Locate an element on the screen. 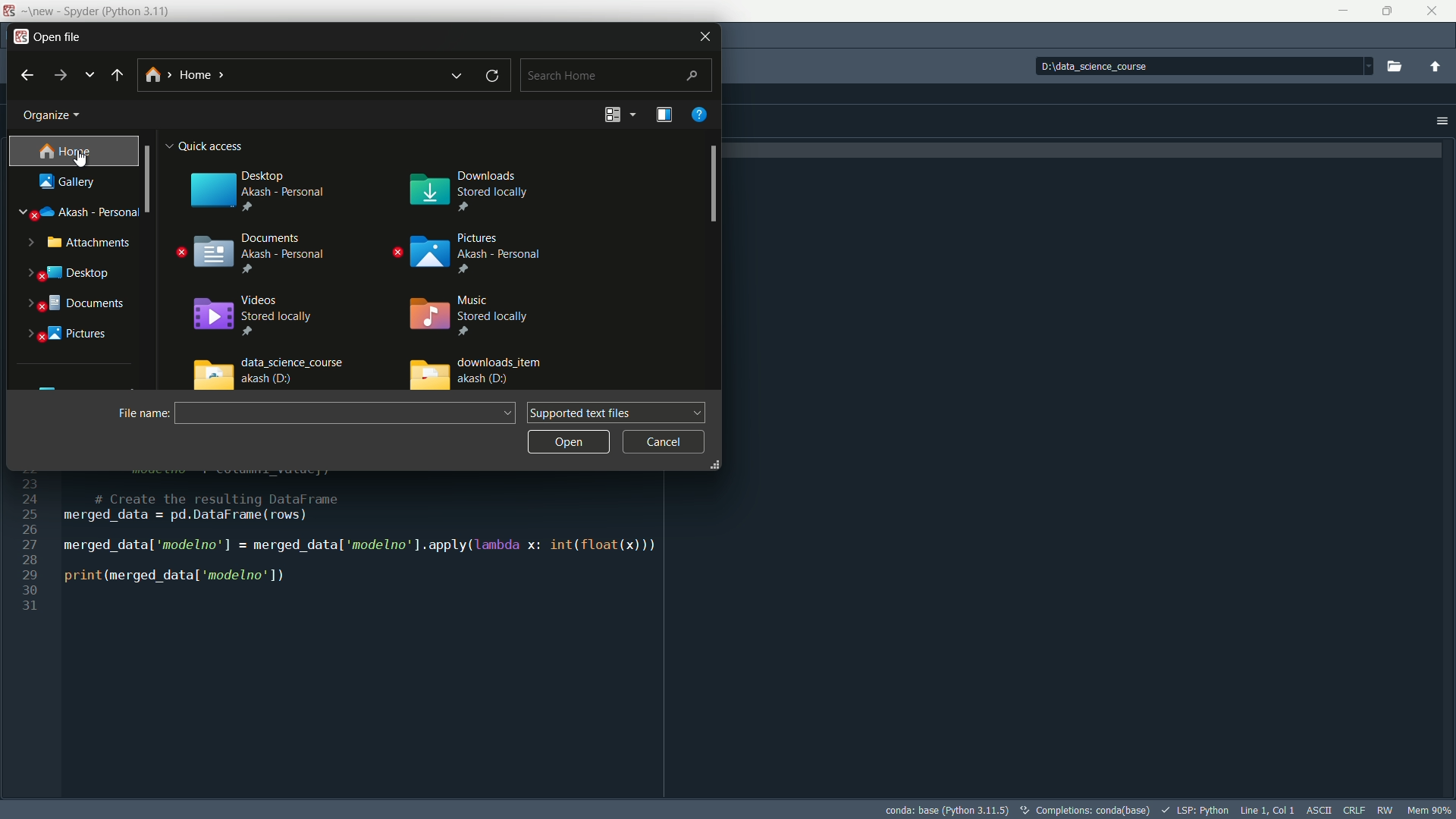 This screenshot has height=819, width=1456. dropdown is located at coordinates (632, 115).